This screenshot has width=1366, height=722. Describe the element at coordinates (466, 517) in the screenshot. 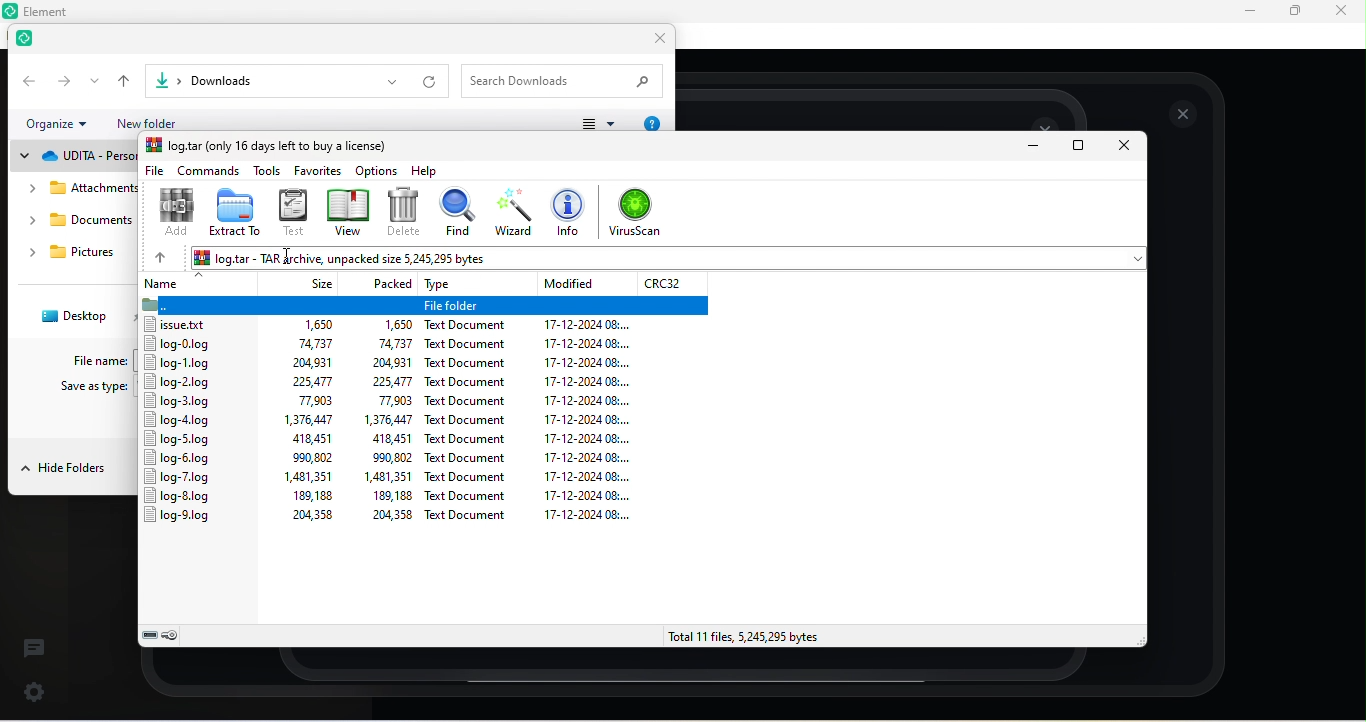

I see `Text Document` at that location.